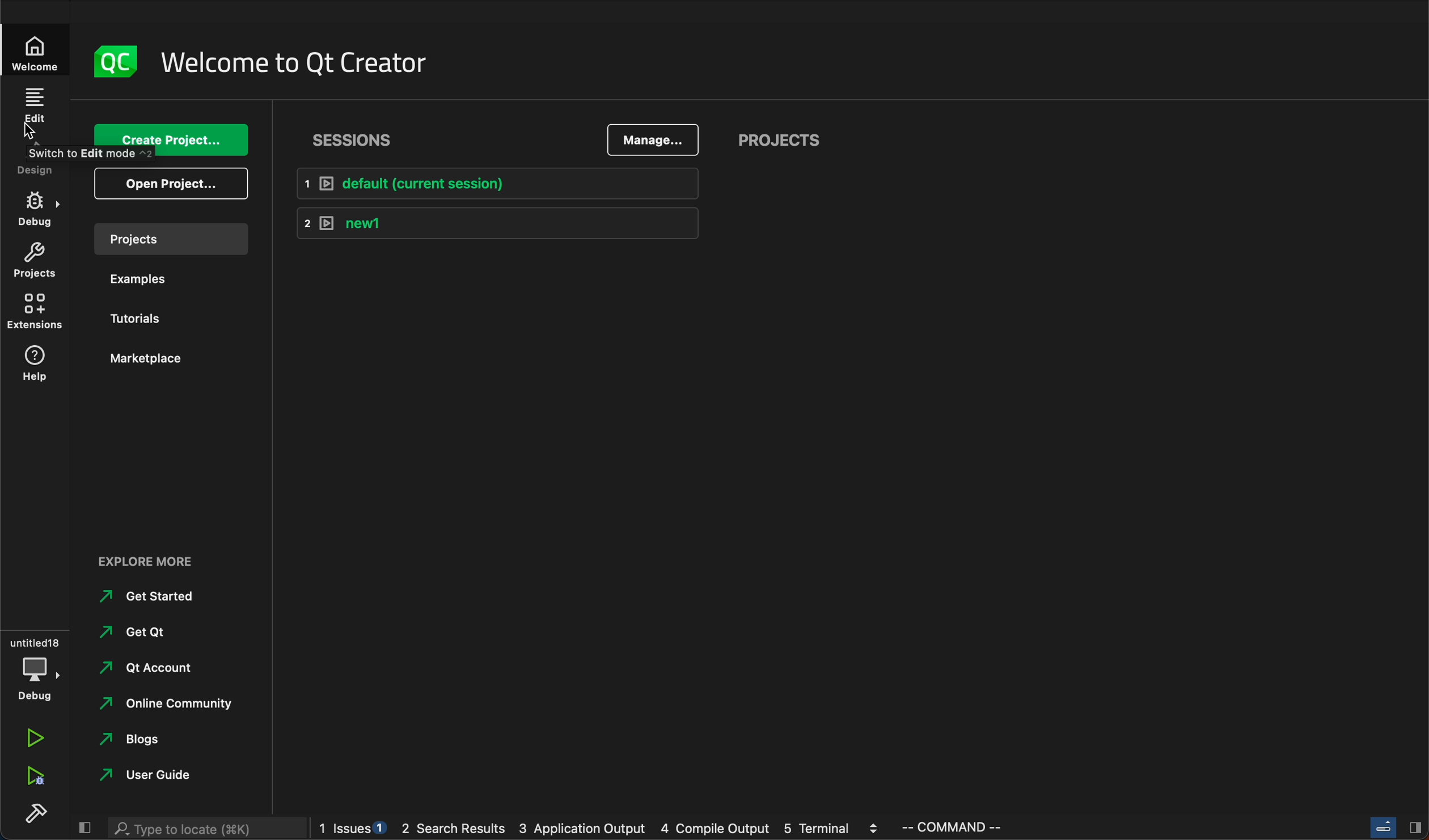 This screenshot has height=840, width=1429. What do you see at coordinates (790, 137) in the screenshot?
I see `project` at bounding box center [790, 137].